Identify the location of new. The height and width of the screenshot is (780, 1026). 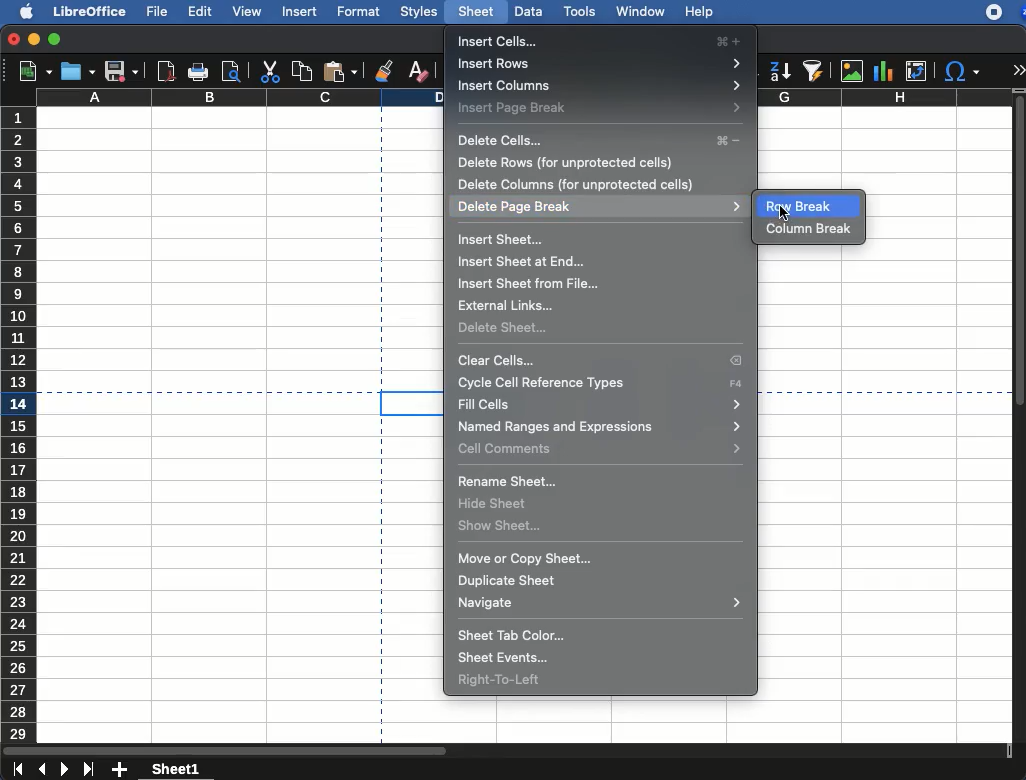
(29, 73).